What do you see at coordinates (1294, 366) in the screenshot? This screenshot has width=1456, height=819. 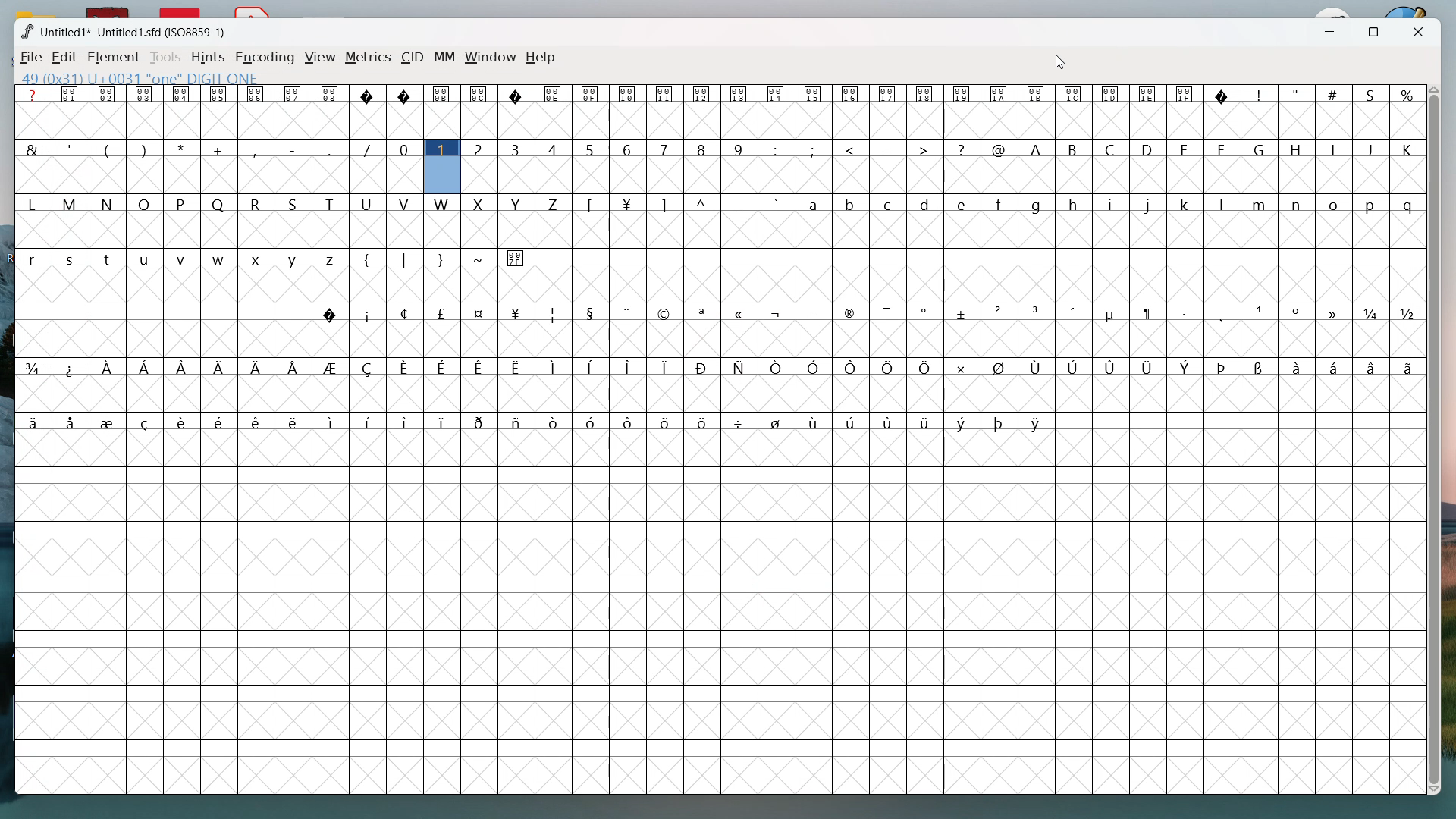 I see `symbol` at bounding box center [1294, 366].